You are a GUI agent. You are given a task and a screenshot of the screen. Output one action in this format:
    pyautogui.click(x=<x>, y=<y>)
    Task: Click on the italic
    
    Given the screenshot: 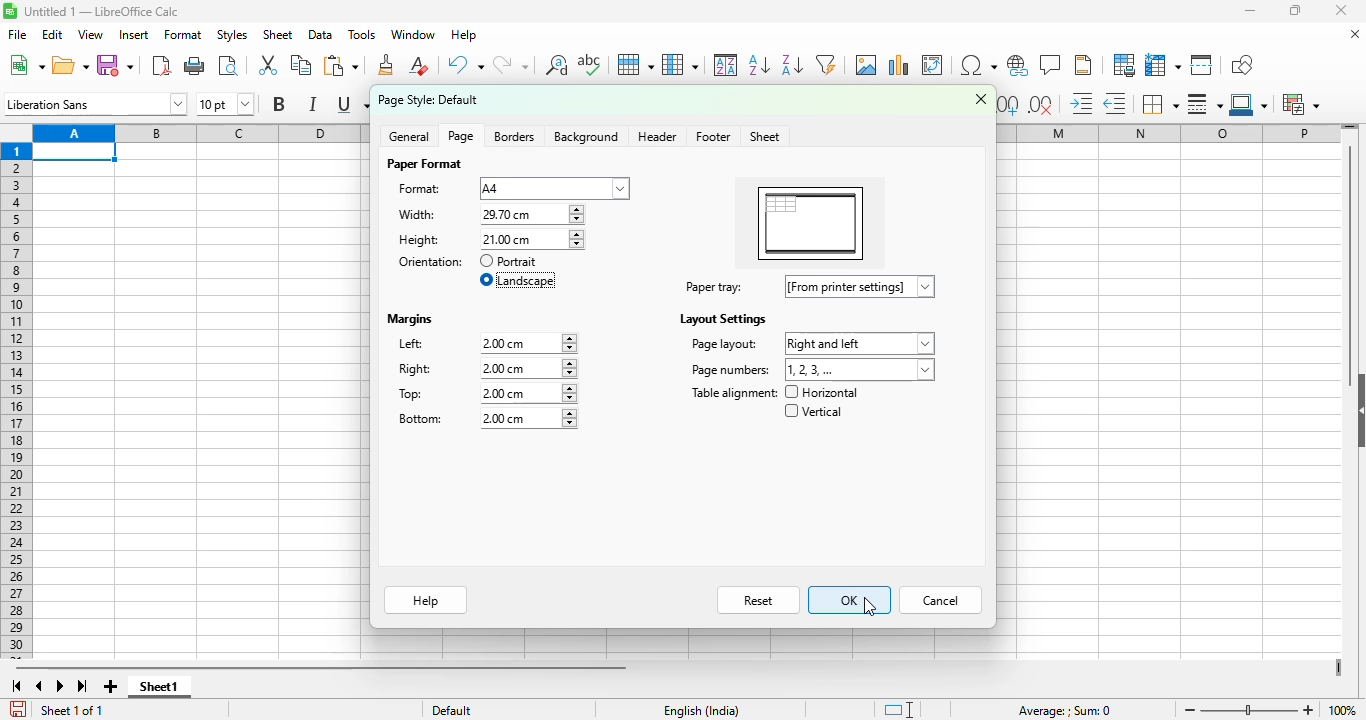 What is the action you would take?
    pyautogui.click(x=312, y=104)
    